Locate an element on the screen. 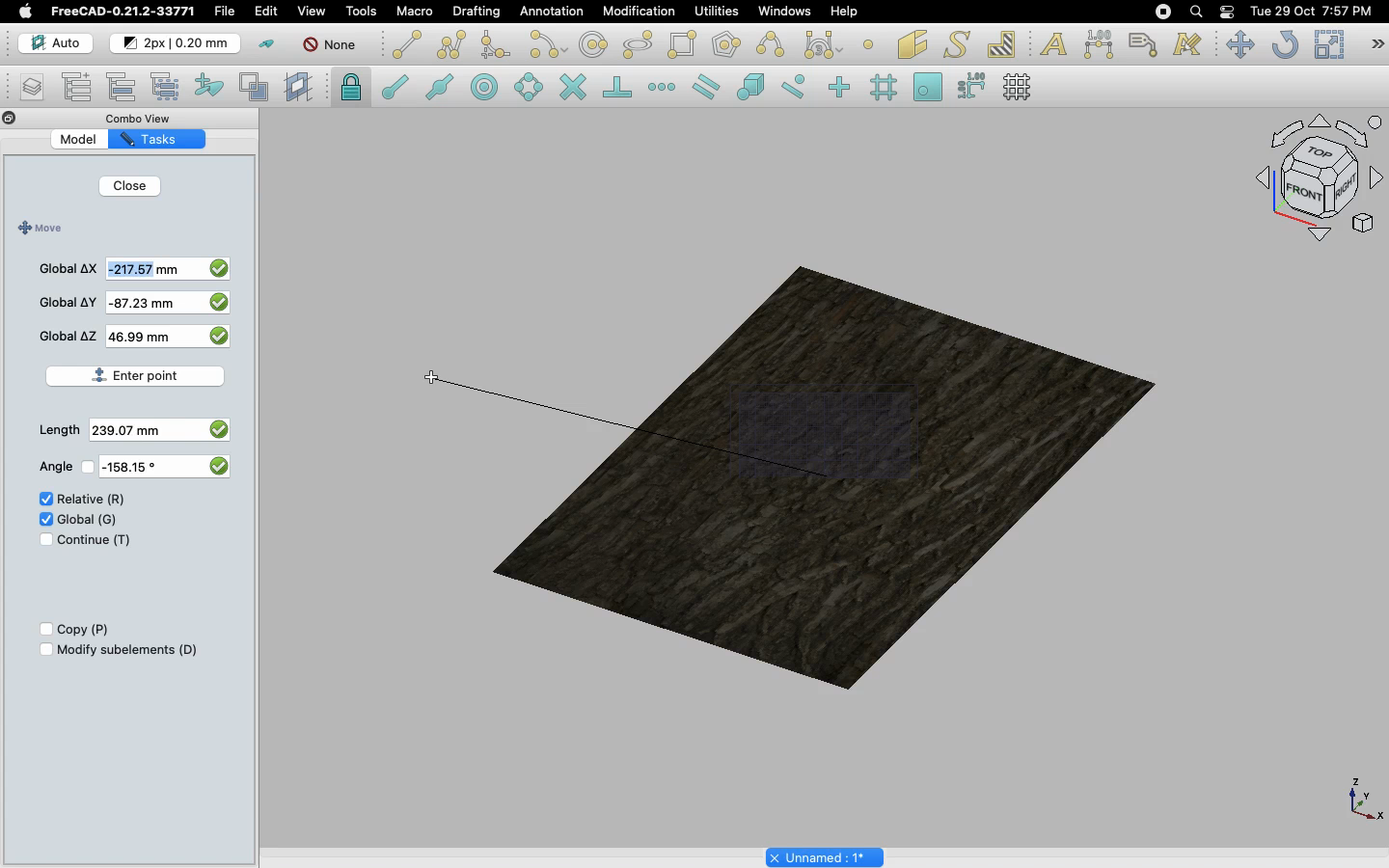 The height and width of the screenshot is (868, 1389). checkbox is located at coordinates (218, 305).